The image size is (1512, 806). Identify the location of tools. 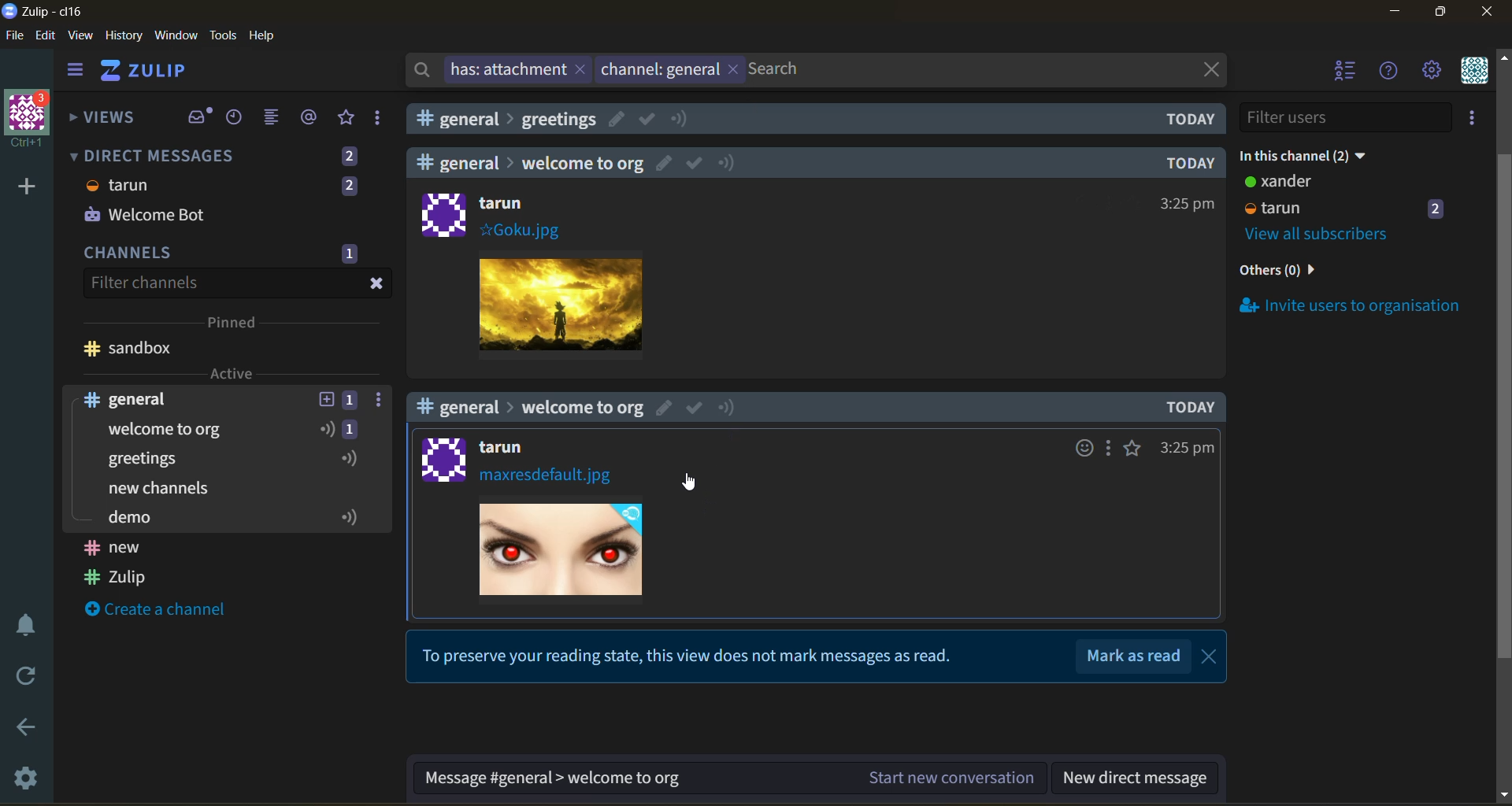
(223, 35).